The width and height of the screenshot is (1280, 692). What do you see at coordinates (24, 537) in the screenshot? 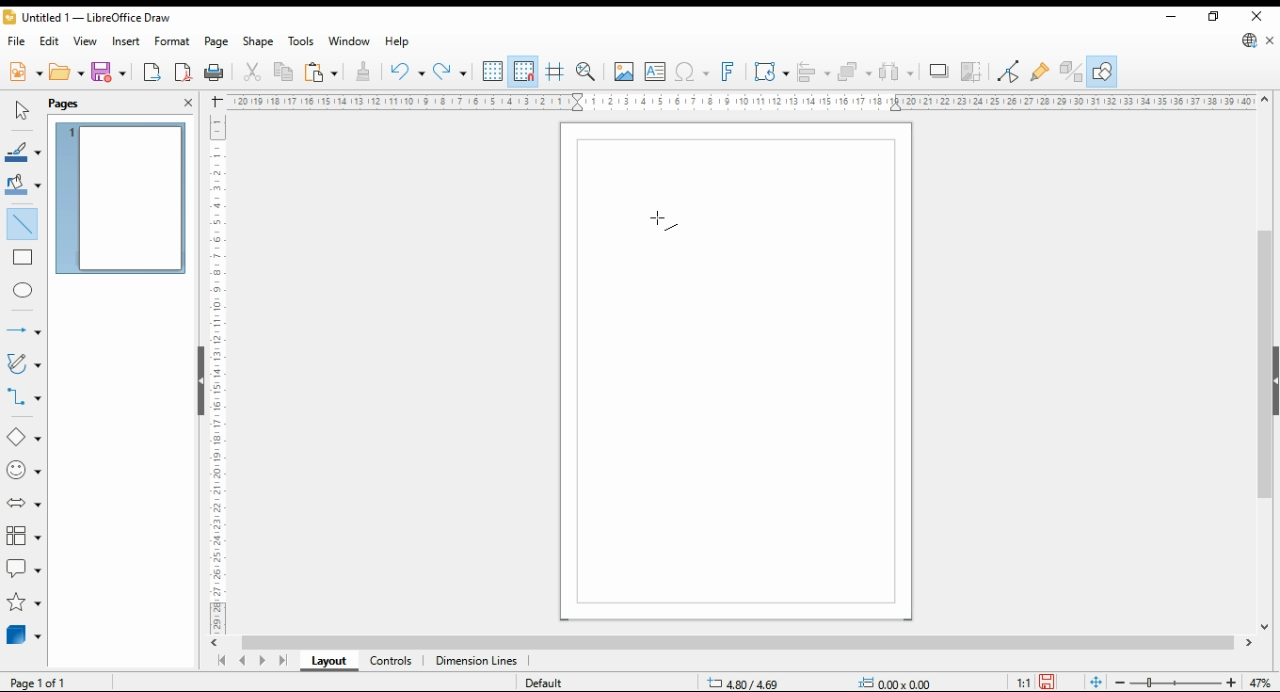
I see `flowchart` at bounding box center [24, 537].